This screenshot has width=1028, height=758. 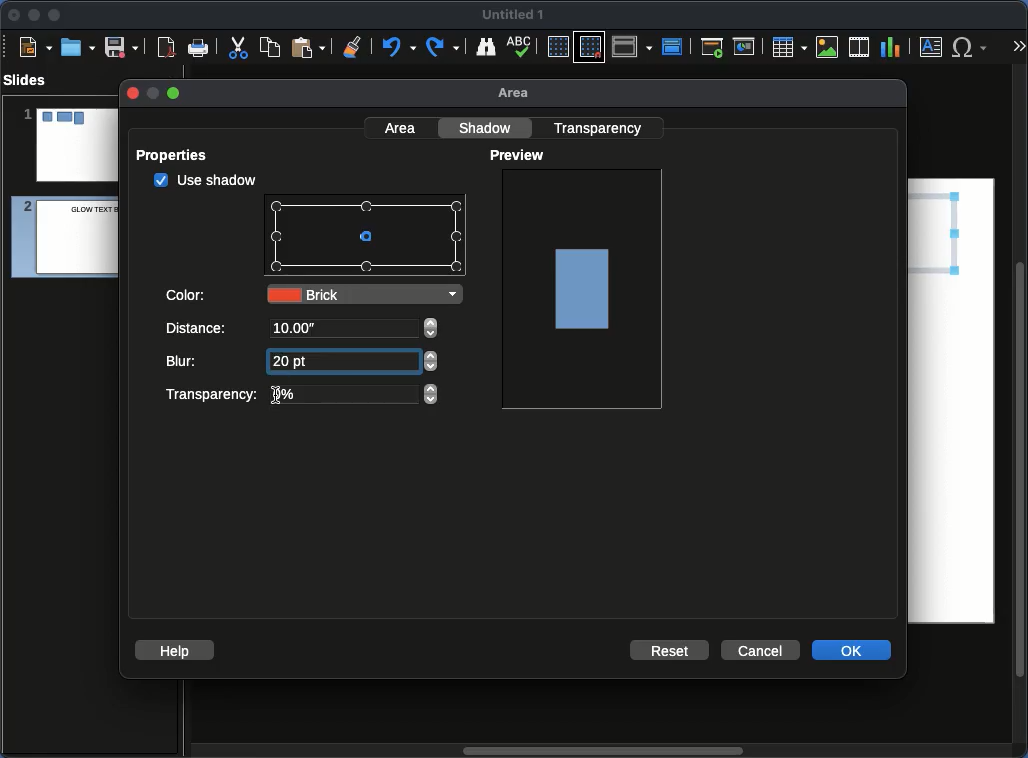 I want to click on Transparency, so click(x=601, y=127).